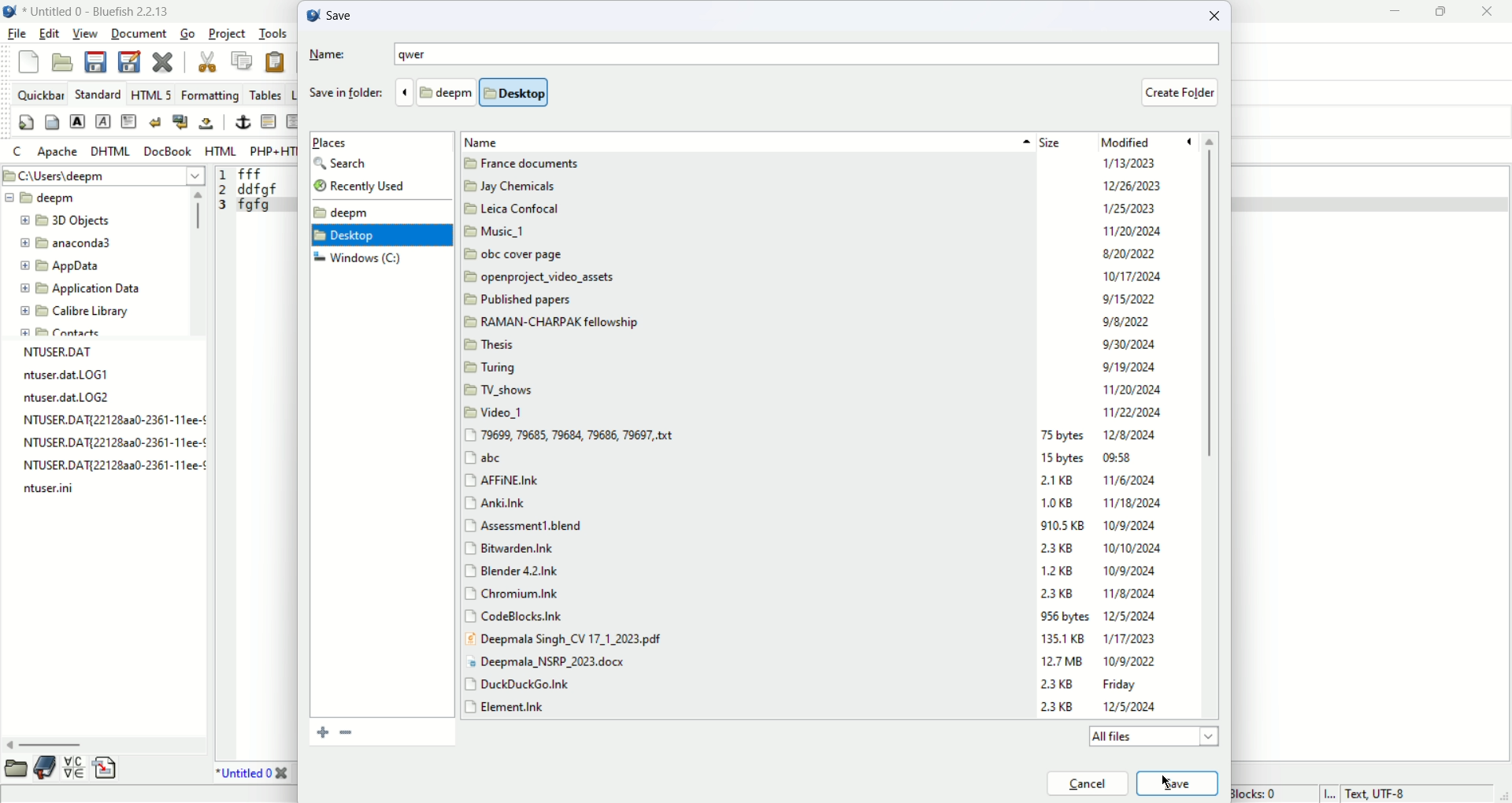 This screenshot has width=1512, height=803. What do you see at coordinates (106, 770) in the screenshot?
I see `snippet` at bounding box center [106, 770].